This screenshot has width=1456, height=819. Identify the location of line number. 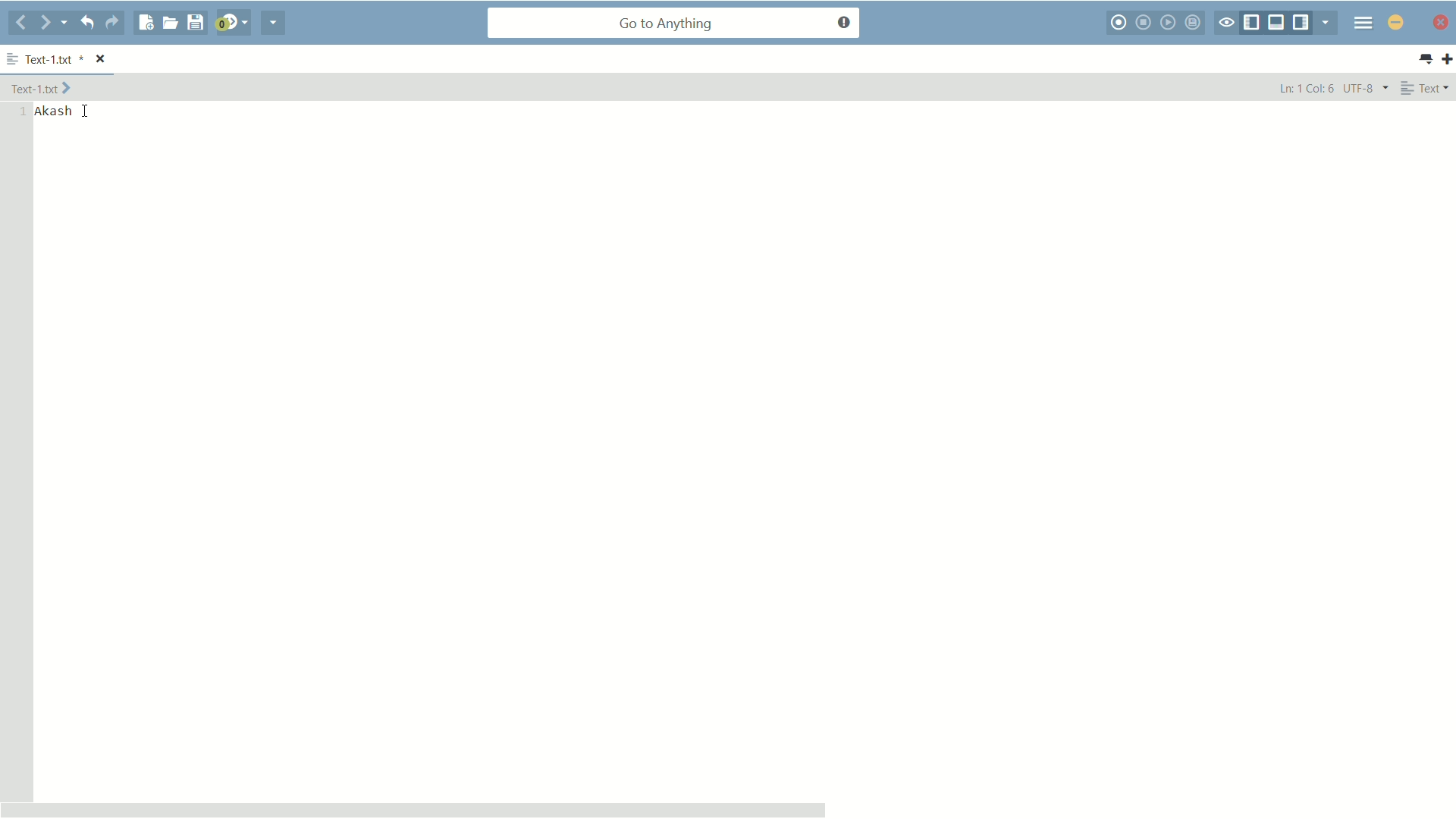
(20, 112).